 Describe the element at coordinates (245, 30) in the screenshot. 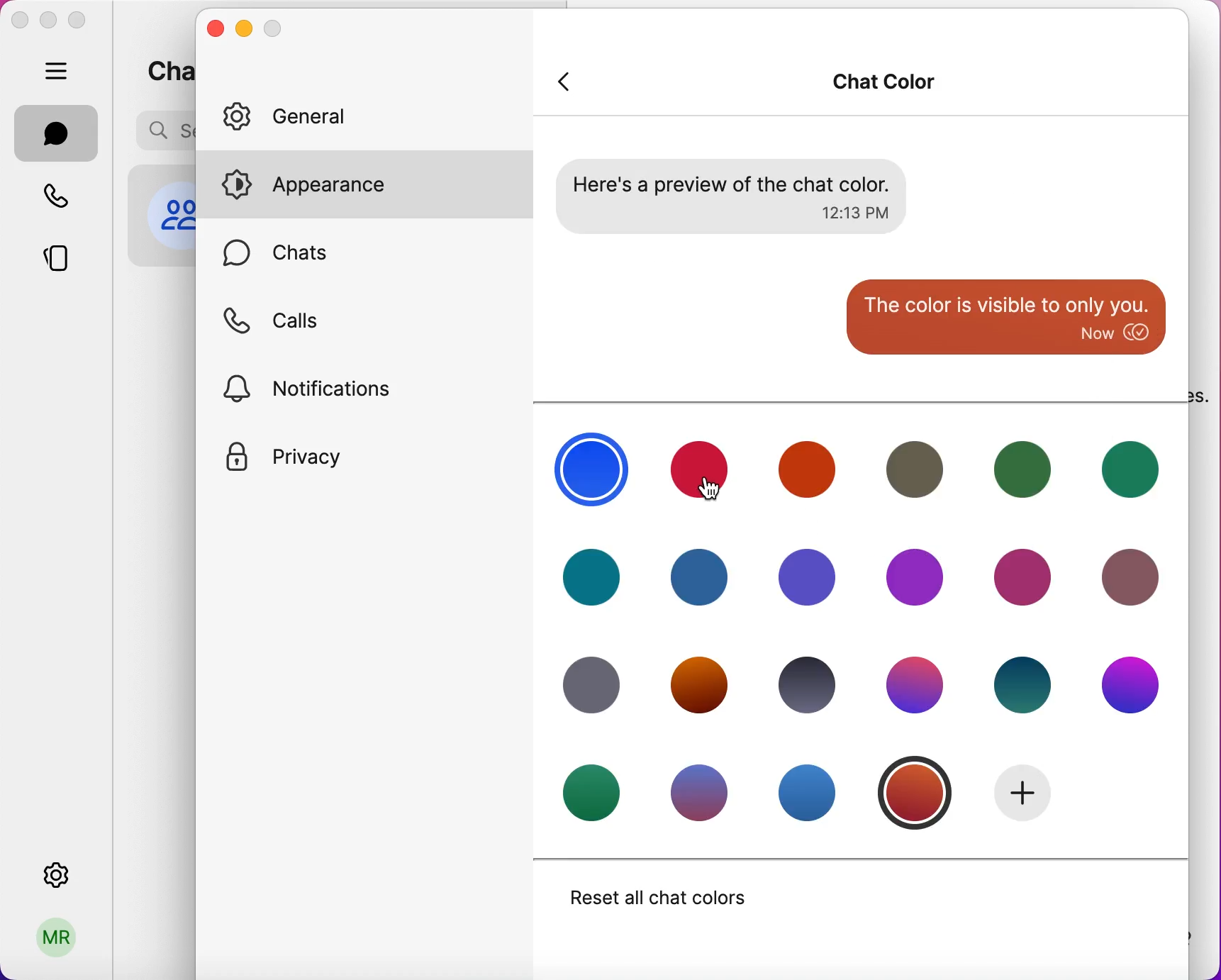

I see `minimize` at that location.